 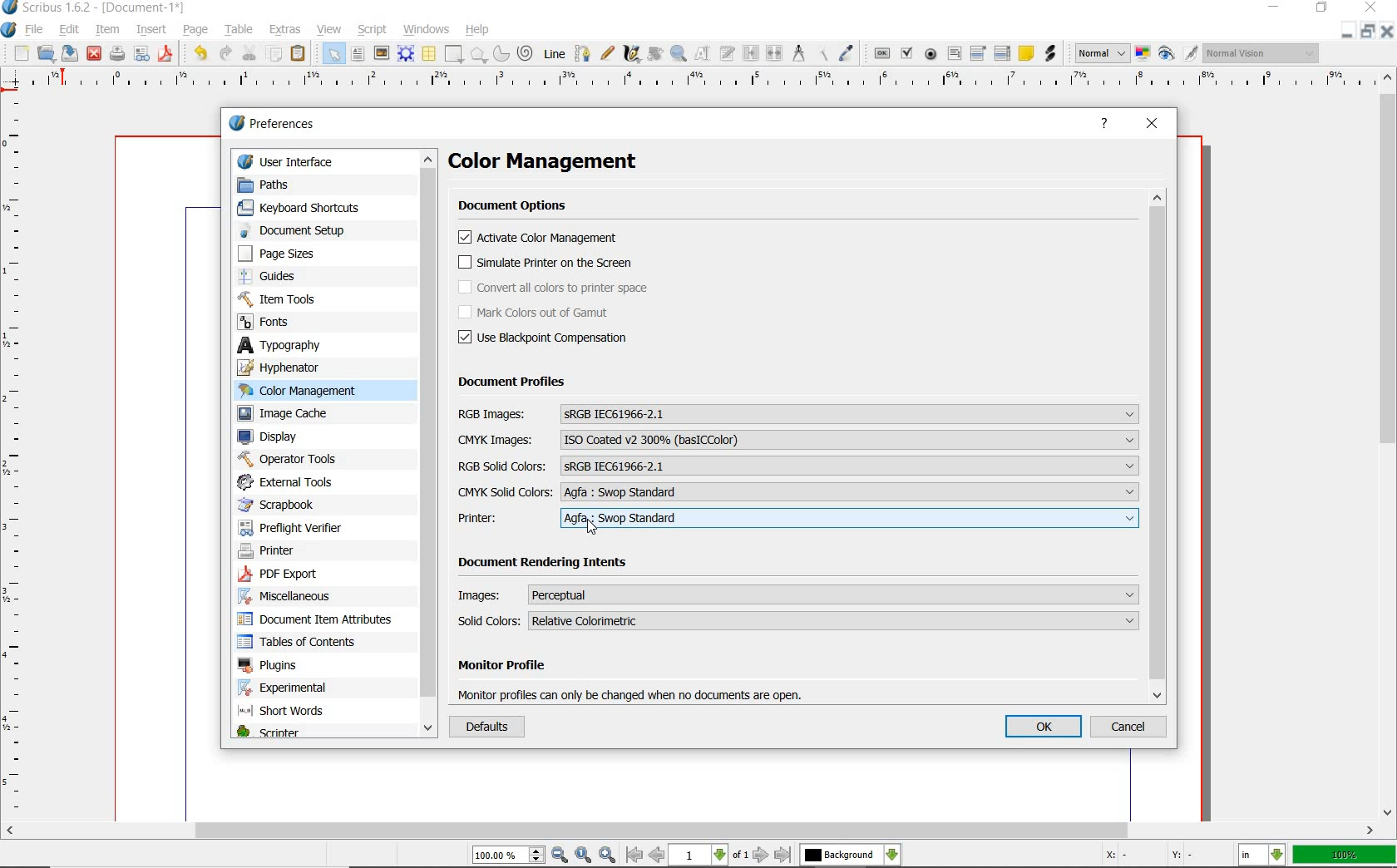 What do you see at coordinates (311, 346) in the screenshot?
I see `typography` at bounding box center [311, 346].